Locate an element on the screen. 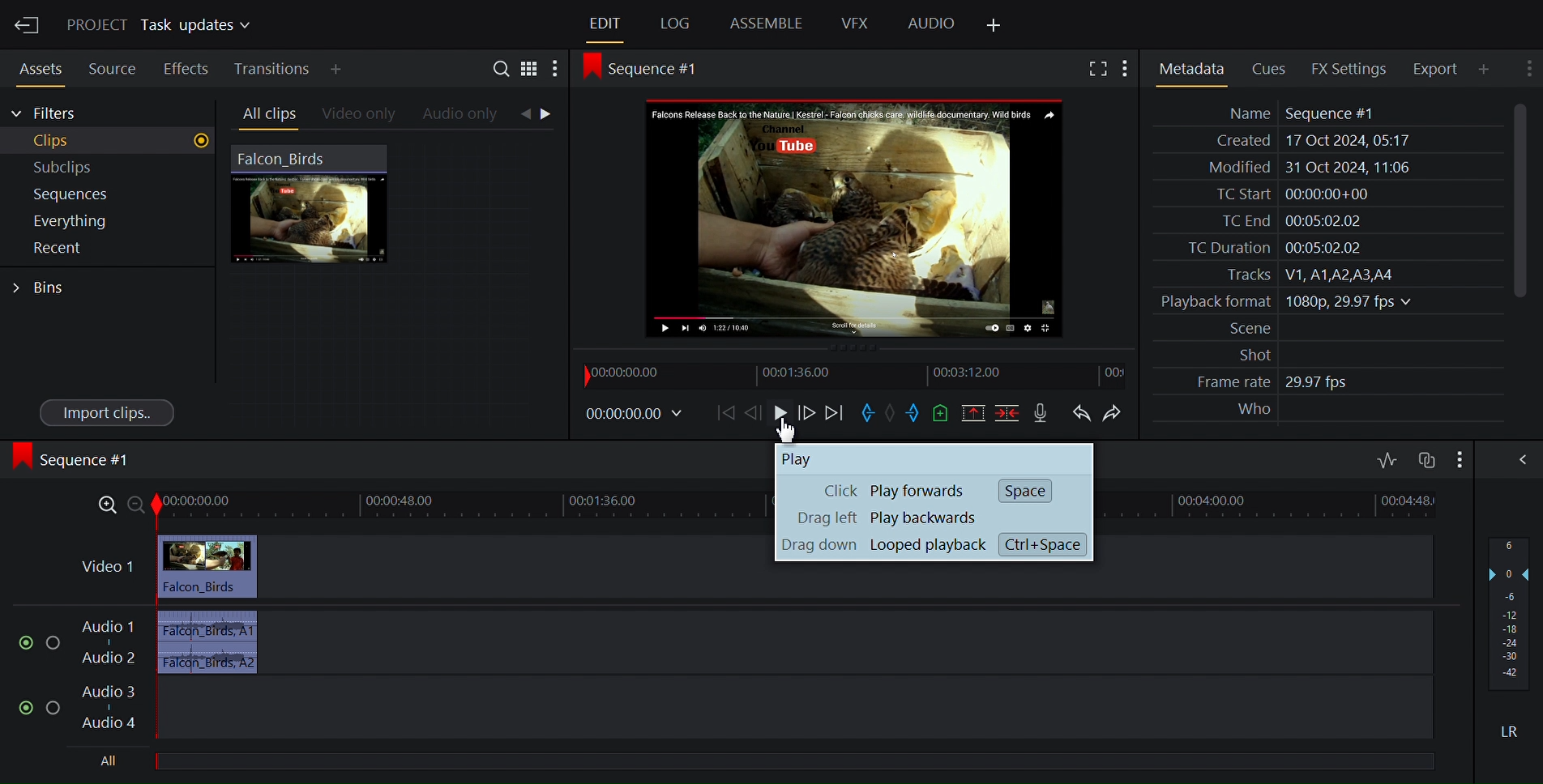  Name Sequence #1 is located at coordinates (1293, 113).